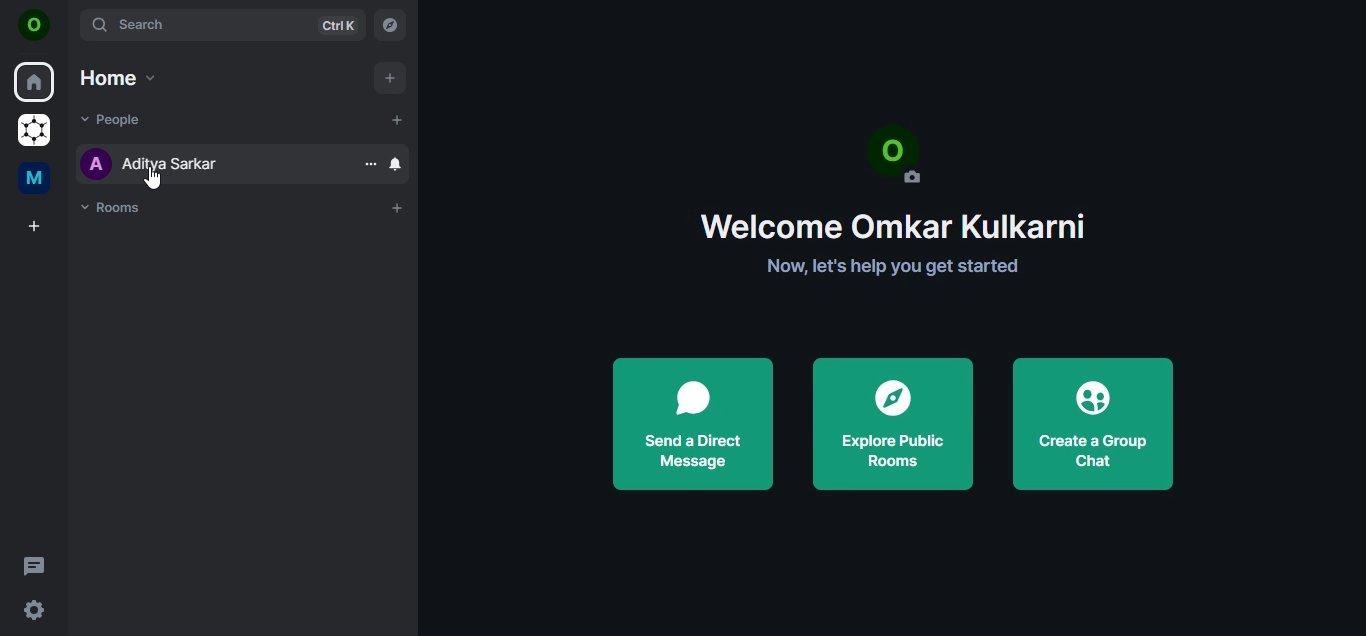  What do you see at coordinates (392, 24) in the screenshot?
I see `explore rooms` at bounding box center [392, 24].